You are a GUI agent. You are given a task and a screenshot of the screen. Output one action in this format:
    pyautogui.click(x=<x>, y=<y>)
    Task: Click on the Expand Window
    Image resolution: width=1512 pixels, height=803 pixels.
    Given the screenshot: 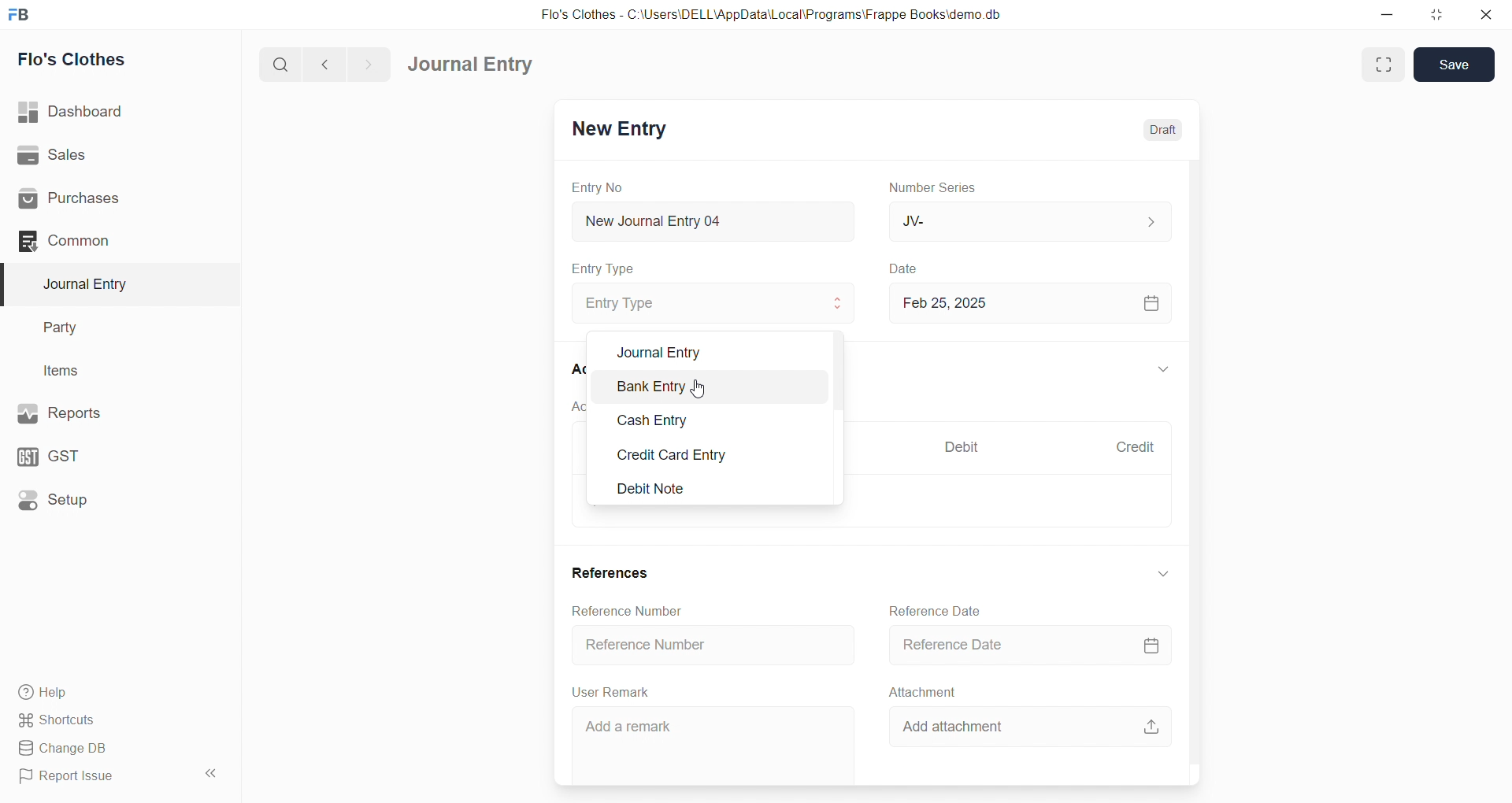 What is the action you would take?
    pyautogui.click(x=1381, y=65)
    